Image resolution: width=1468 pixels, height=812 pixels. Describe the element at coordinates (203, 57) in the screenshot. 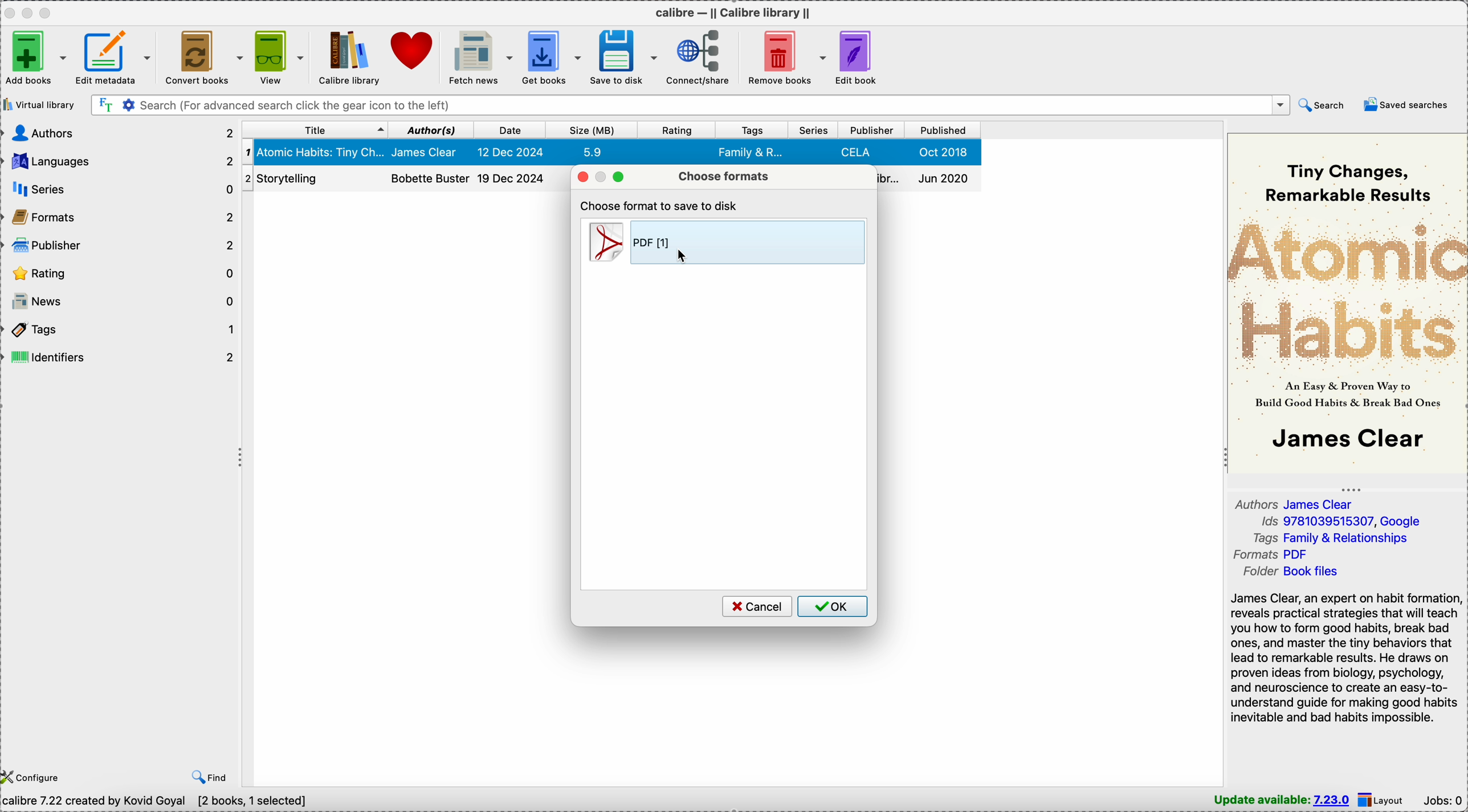

I see `convert books` at that location.